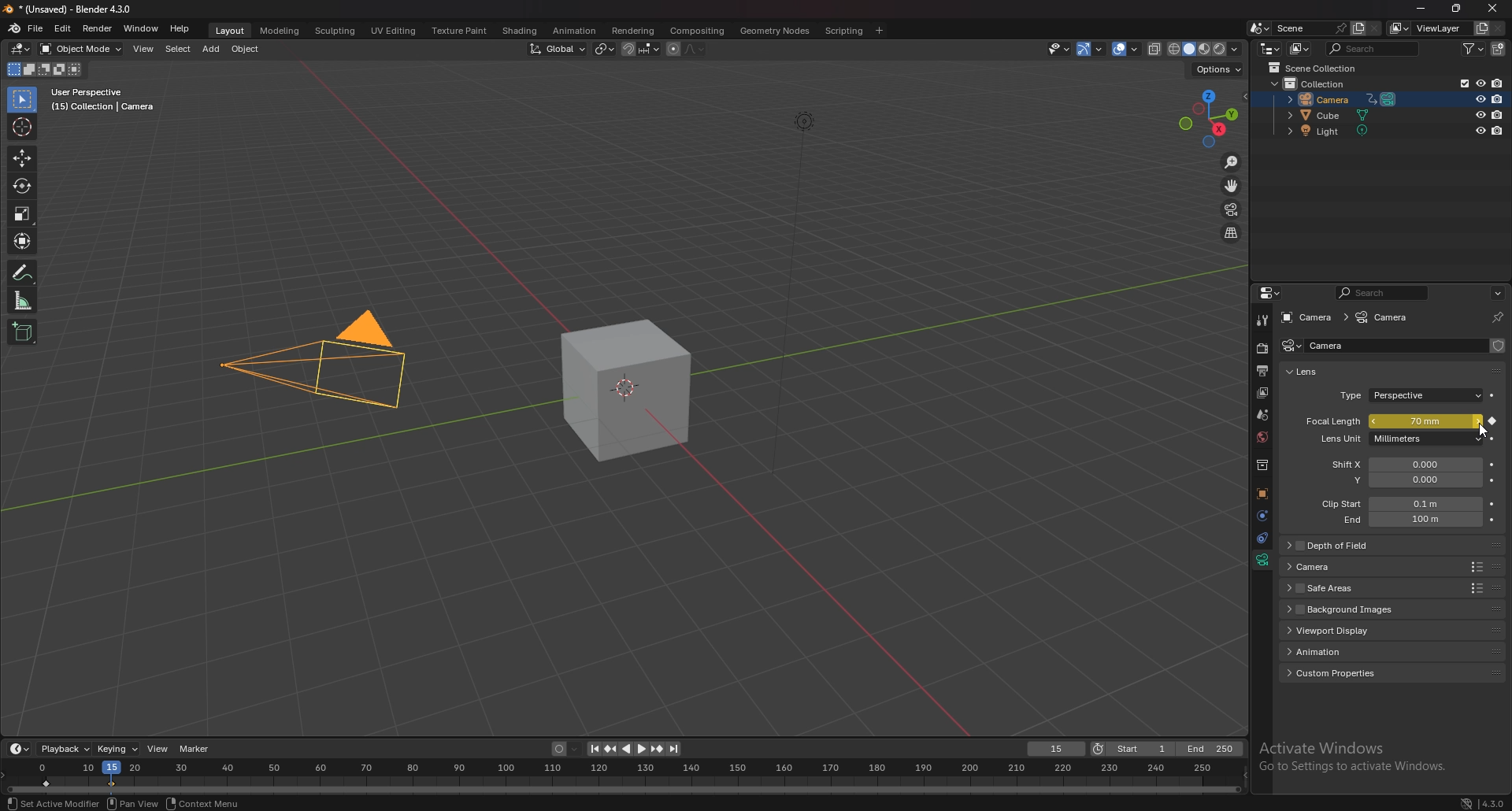 This screenshot has height=811, width=1512. I want to click on output, so click(1263, 370).